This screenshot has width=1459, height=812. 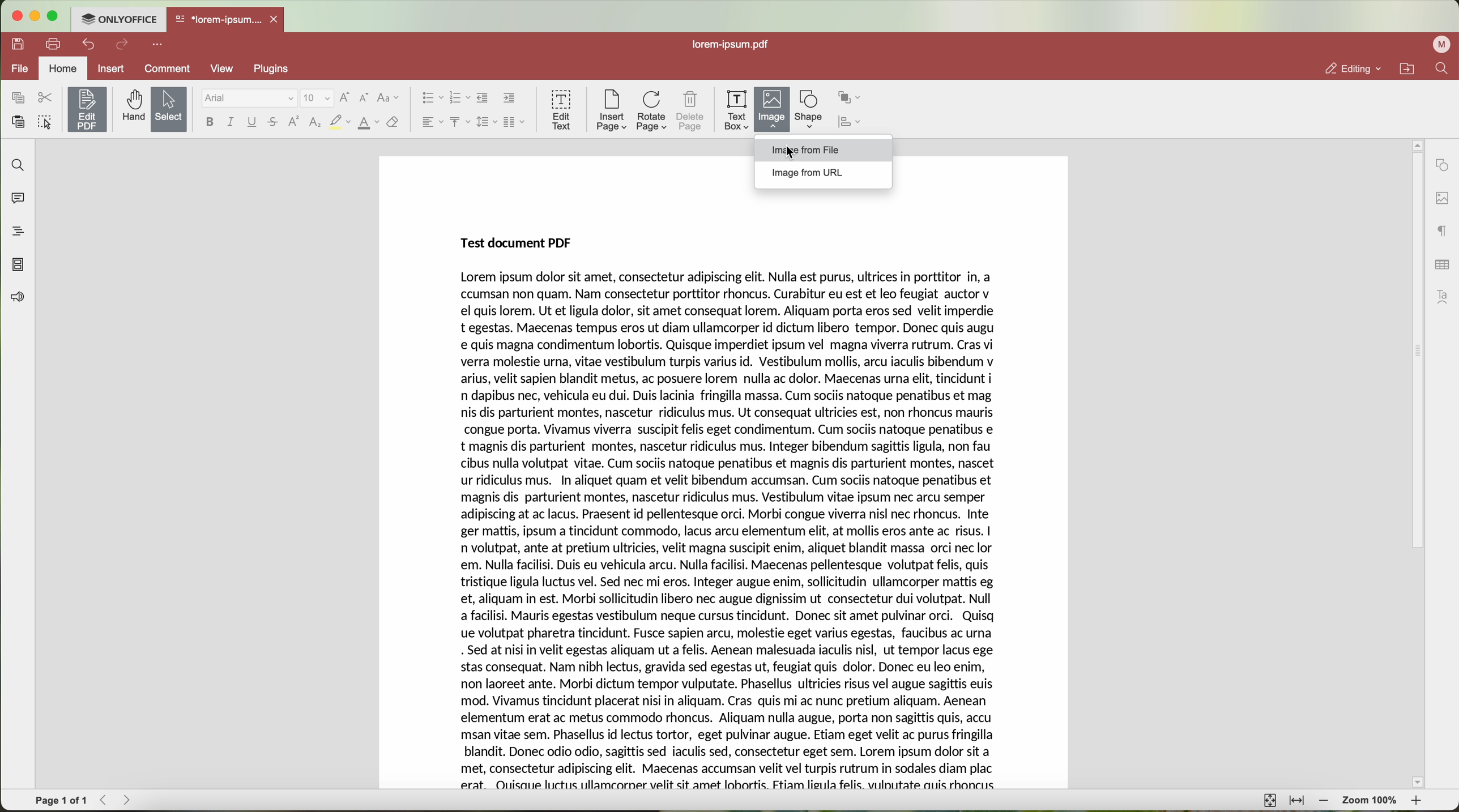 What do you see at coordinates (1445, 297) in the screenshot?
I see `text art settings` at bounding box center [1445, 297].